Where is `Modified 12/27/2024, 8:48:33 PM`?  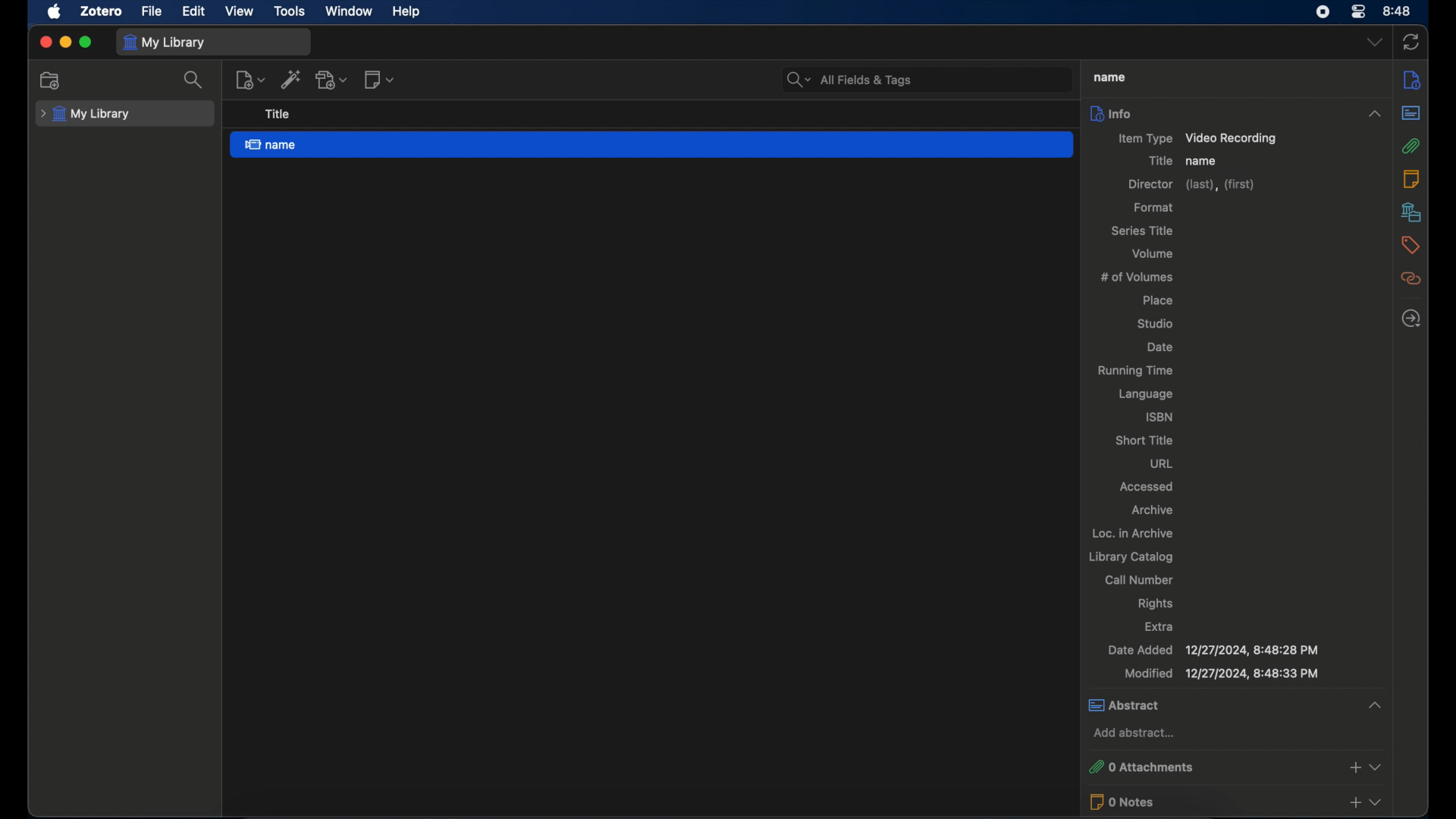 Modified 12/27/2024, 8:48:33 PM is located at coordinates (1224, 674).